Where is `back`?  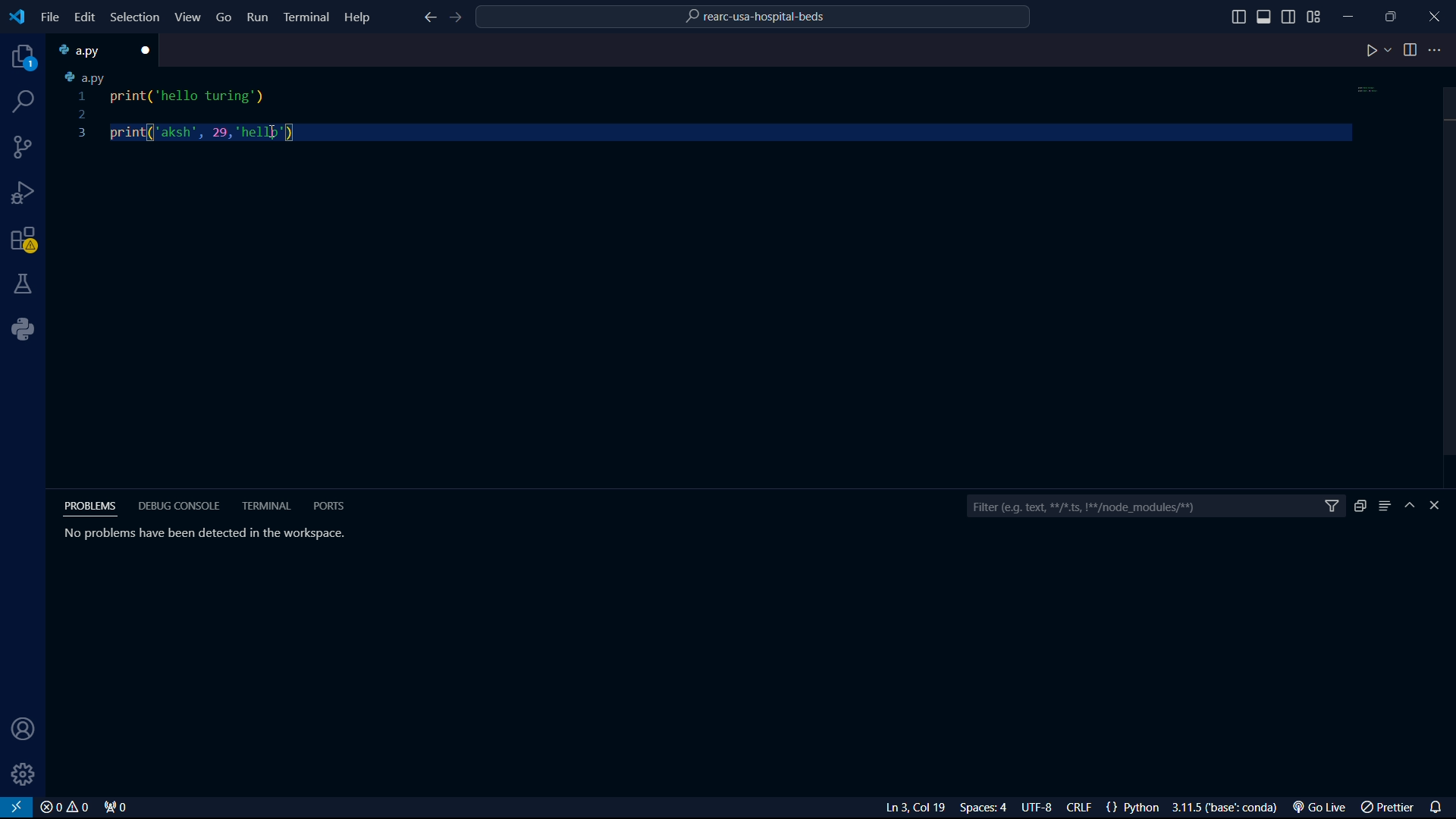
back is located at coordinates (428, 19).